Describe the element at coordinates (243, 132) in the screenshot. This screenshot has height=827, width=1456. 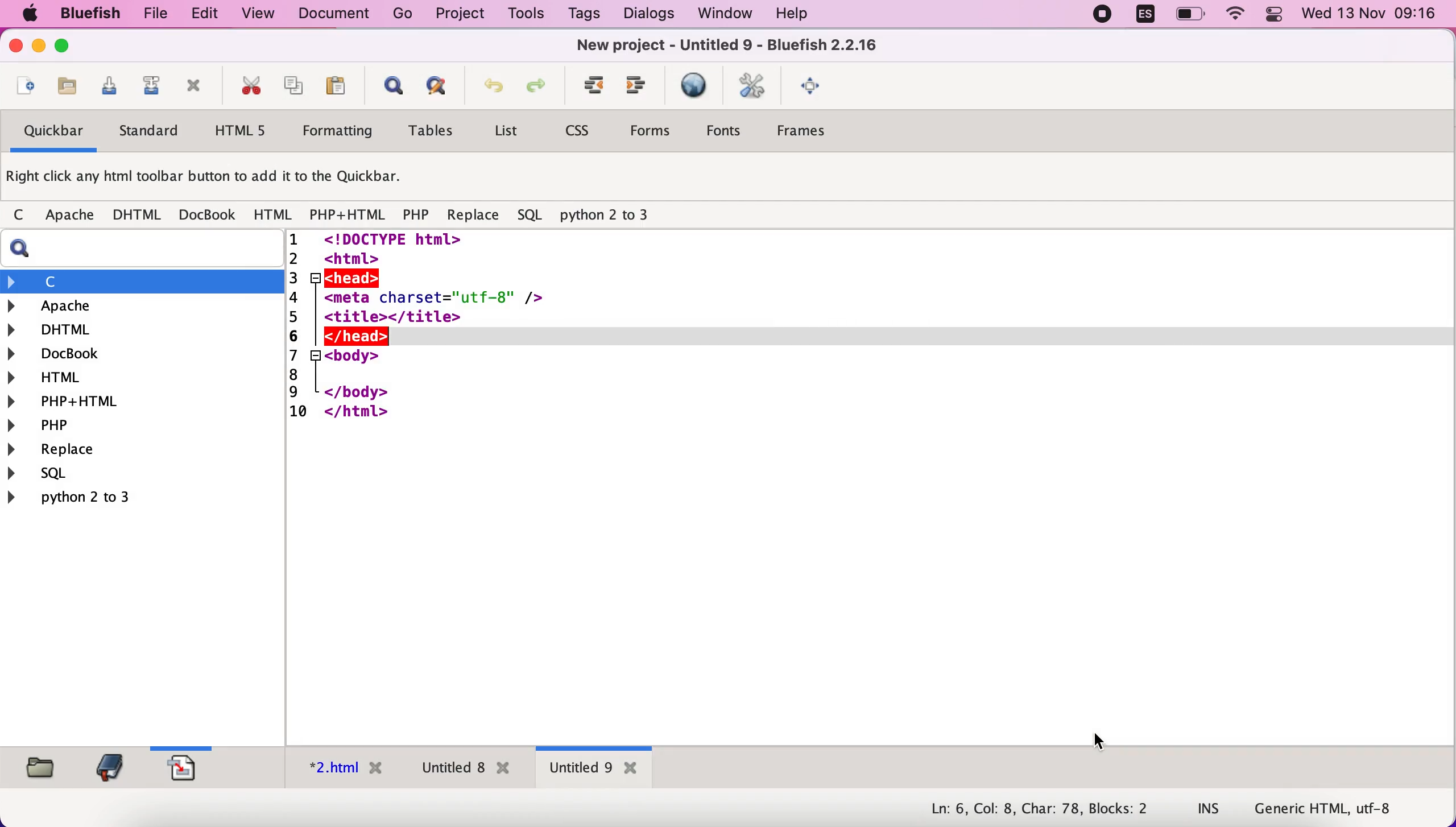
I see `html5` at that location.